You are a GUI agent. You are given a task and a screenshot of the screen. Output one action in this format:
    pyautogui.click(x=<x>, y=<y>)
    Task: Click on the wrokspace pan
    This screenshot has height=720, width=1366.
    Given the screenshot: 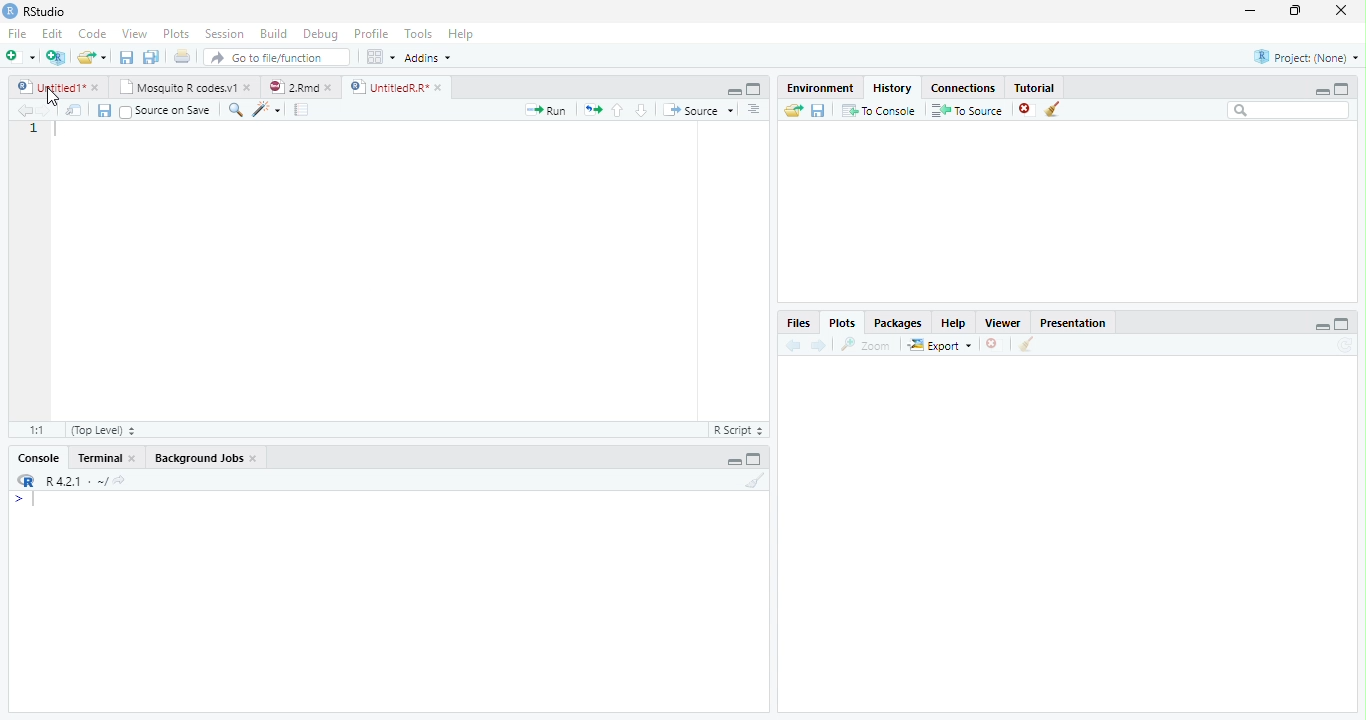 What is the action you would take?
    pyautogui.click(x=379, y=57)
    